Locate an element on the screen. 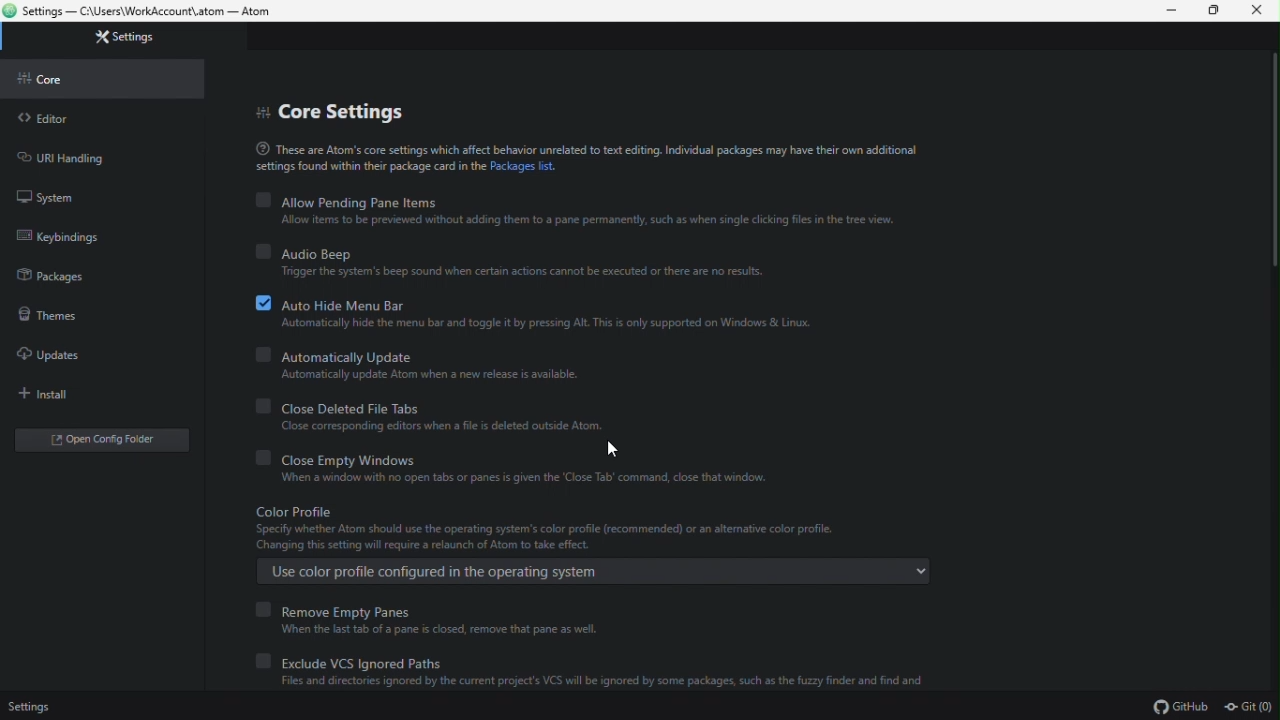  ® These are Atom's core settings which affect behavior unrelated to text editing. Individual packages may have their own additionalsettings found within thei package card in the Packages list is located at coordinates (590, 157).